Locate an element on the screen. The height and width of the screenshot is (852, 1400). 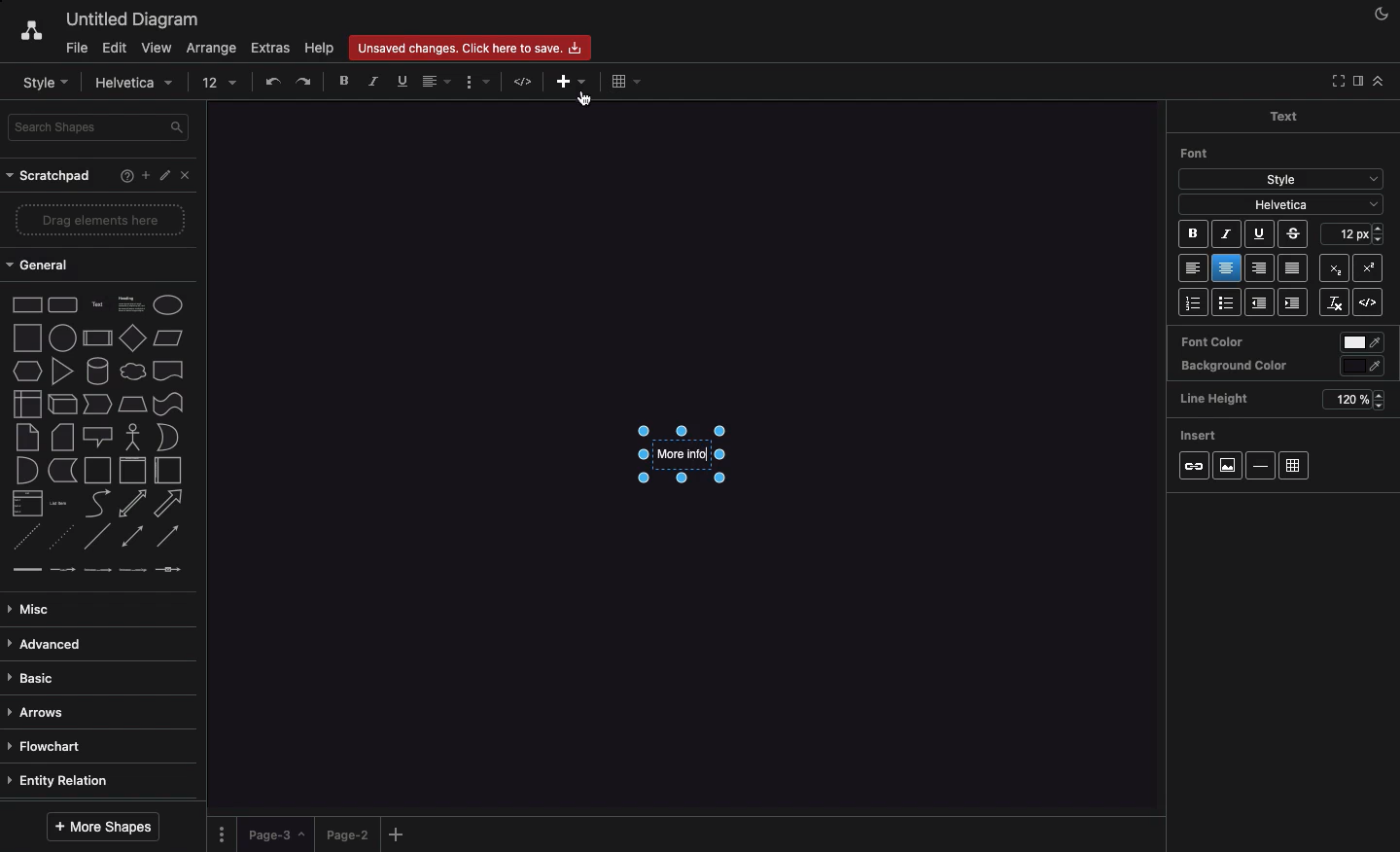
Unsaved changes. click here to save is located at coordinates (468, 47).